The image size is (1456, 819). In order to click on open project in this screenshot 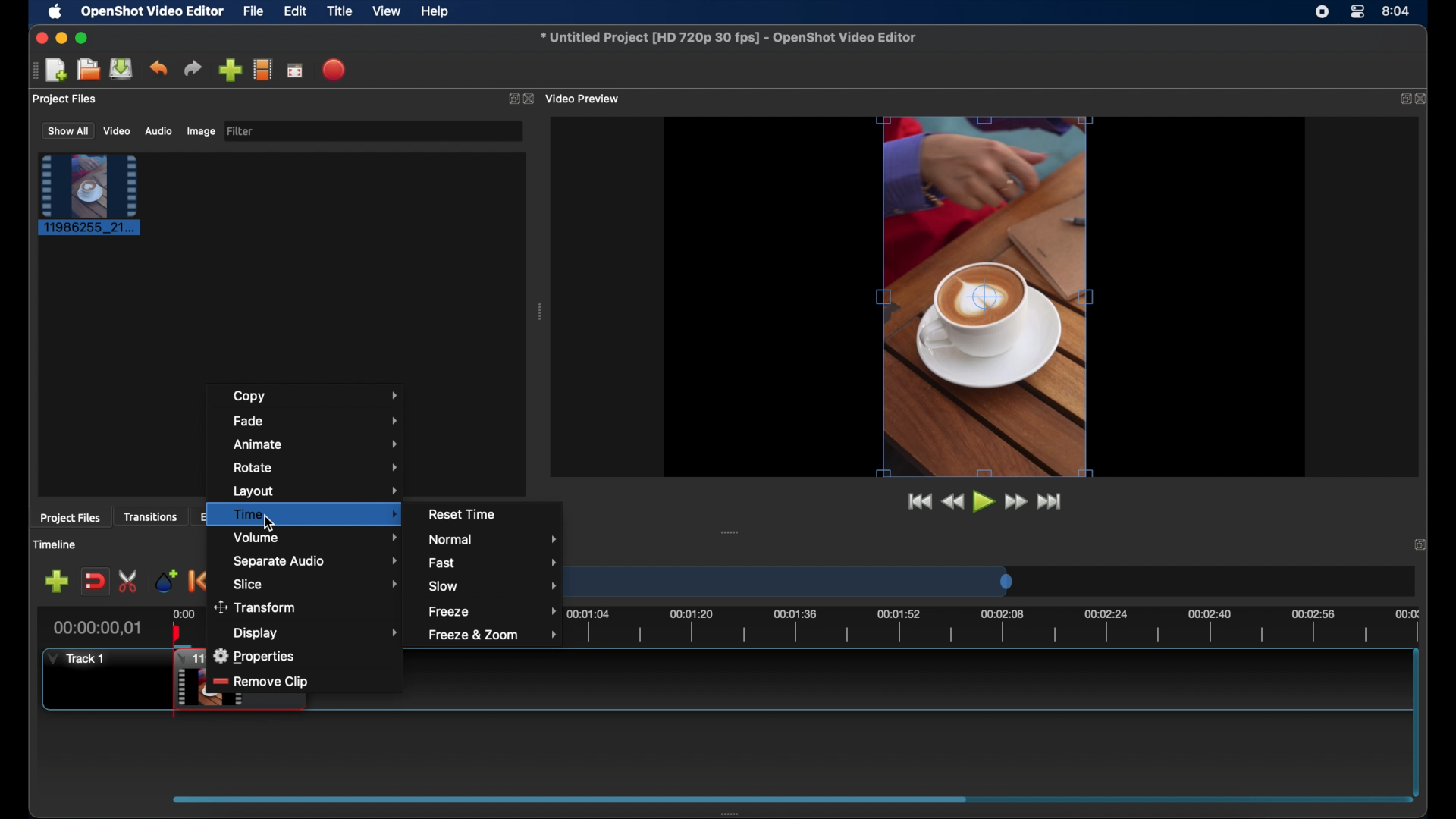, I will do `click(88, 70)`.